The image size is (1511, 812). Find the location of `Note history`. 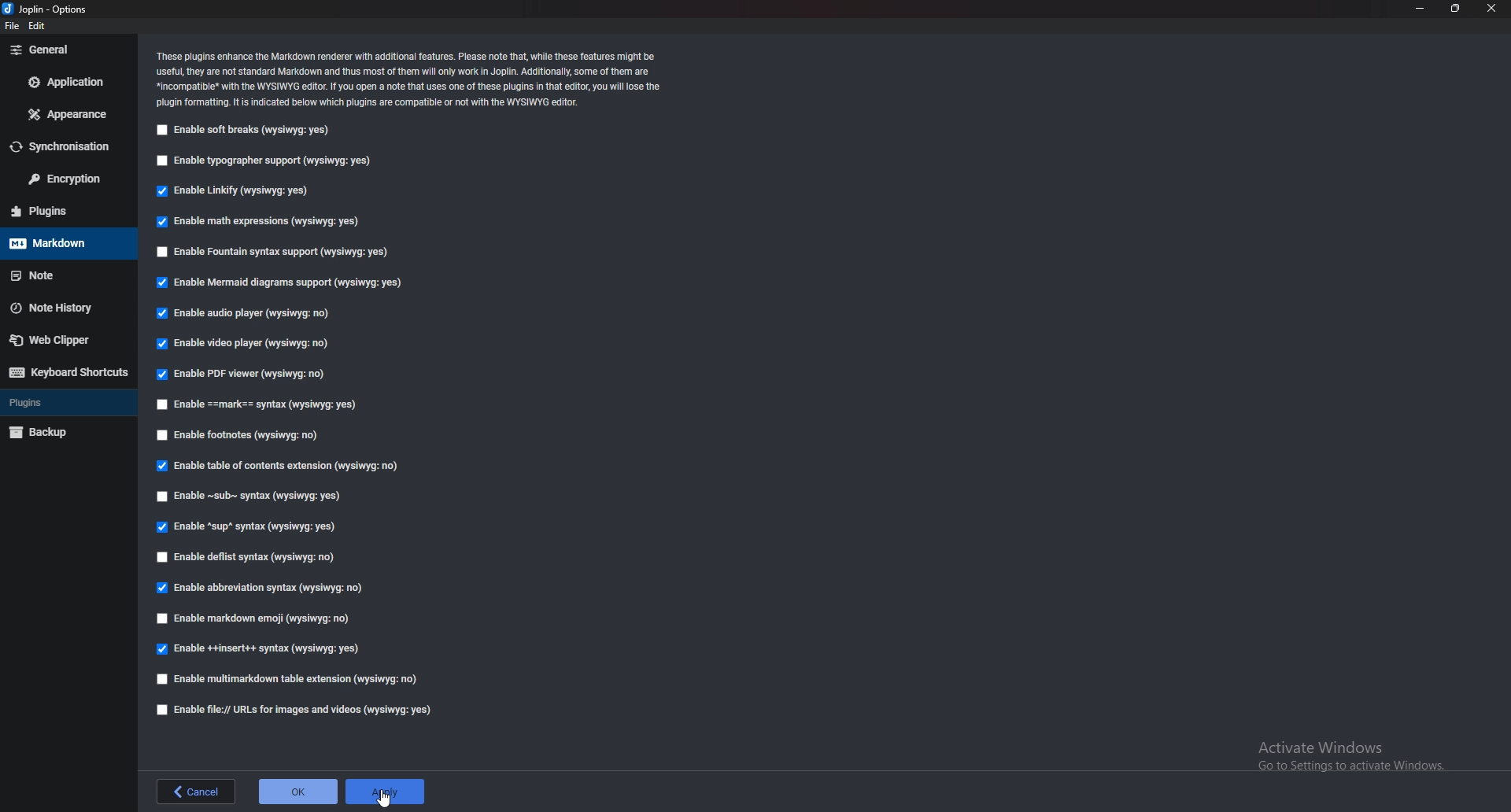

Note history is located at coordinates (61, 308).